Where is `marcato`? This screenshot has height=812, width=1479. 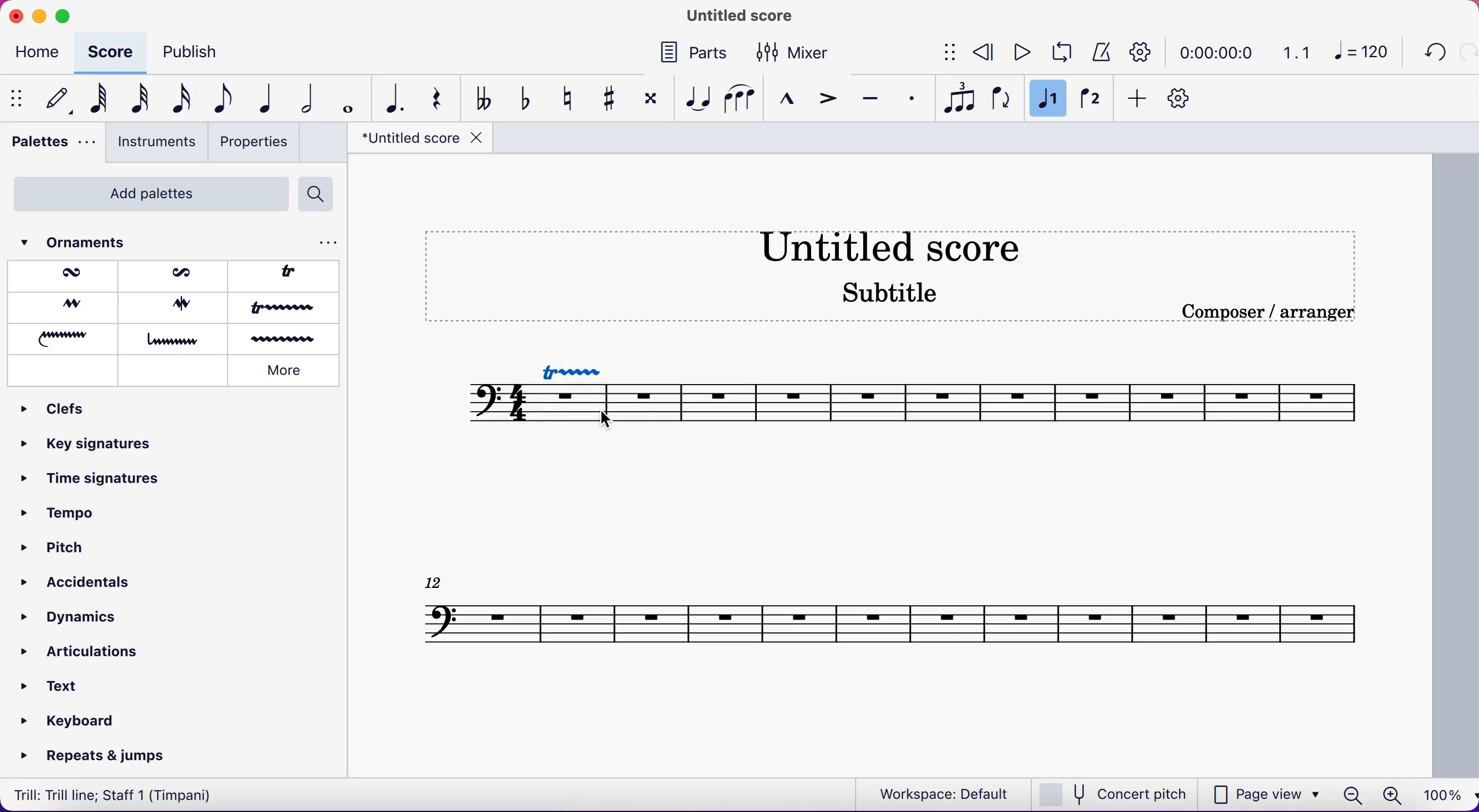
marcato is located at coordinates (789, 99).